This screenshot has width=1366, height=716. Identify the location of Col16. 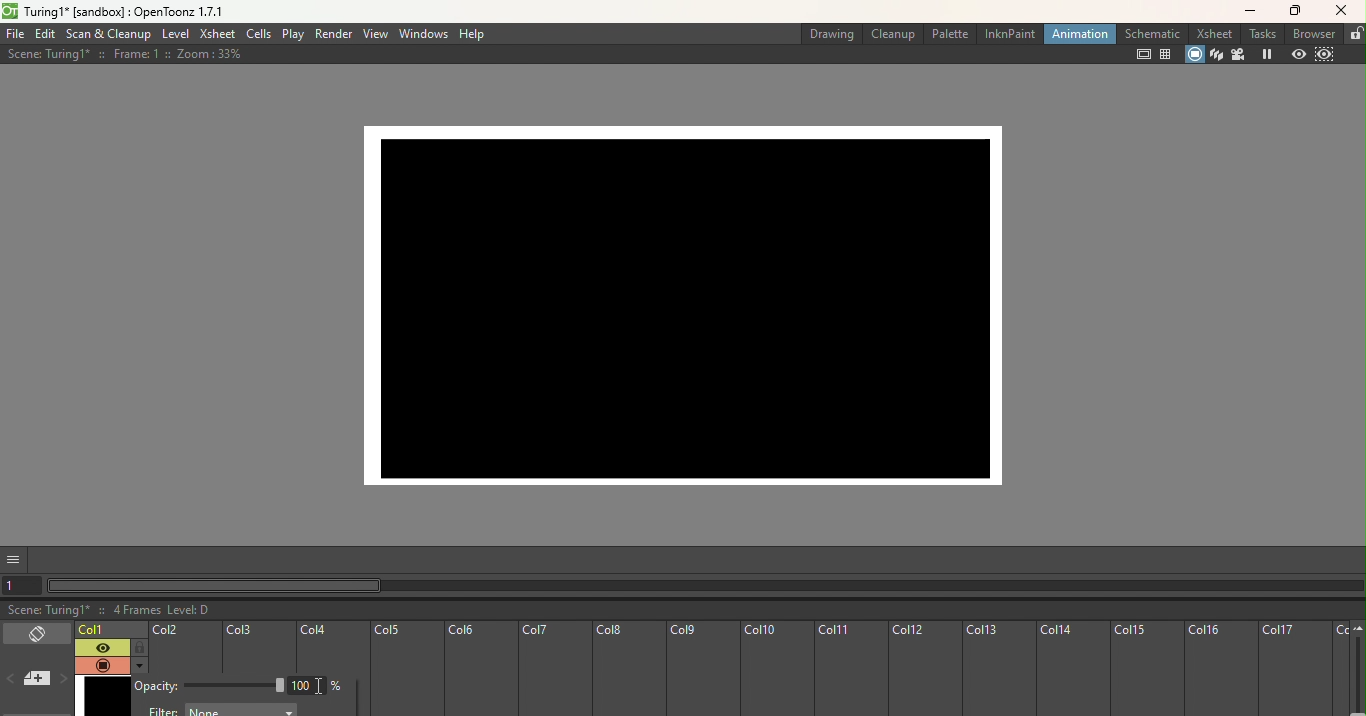
(1221, 669).